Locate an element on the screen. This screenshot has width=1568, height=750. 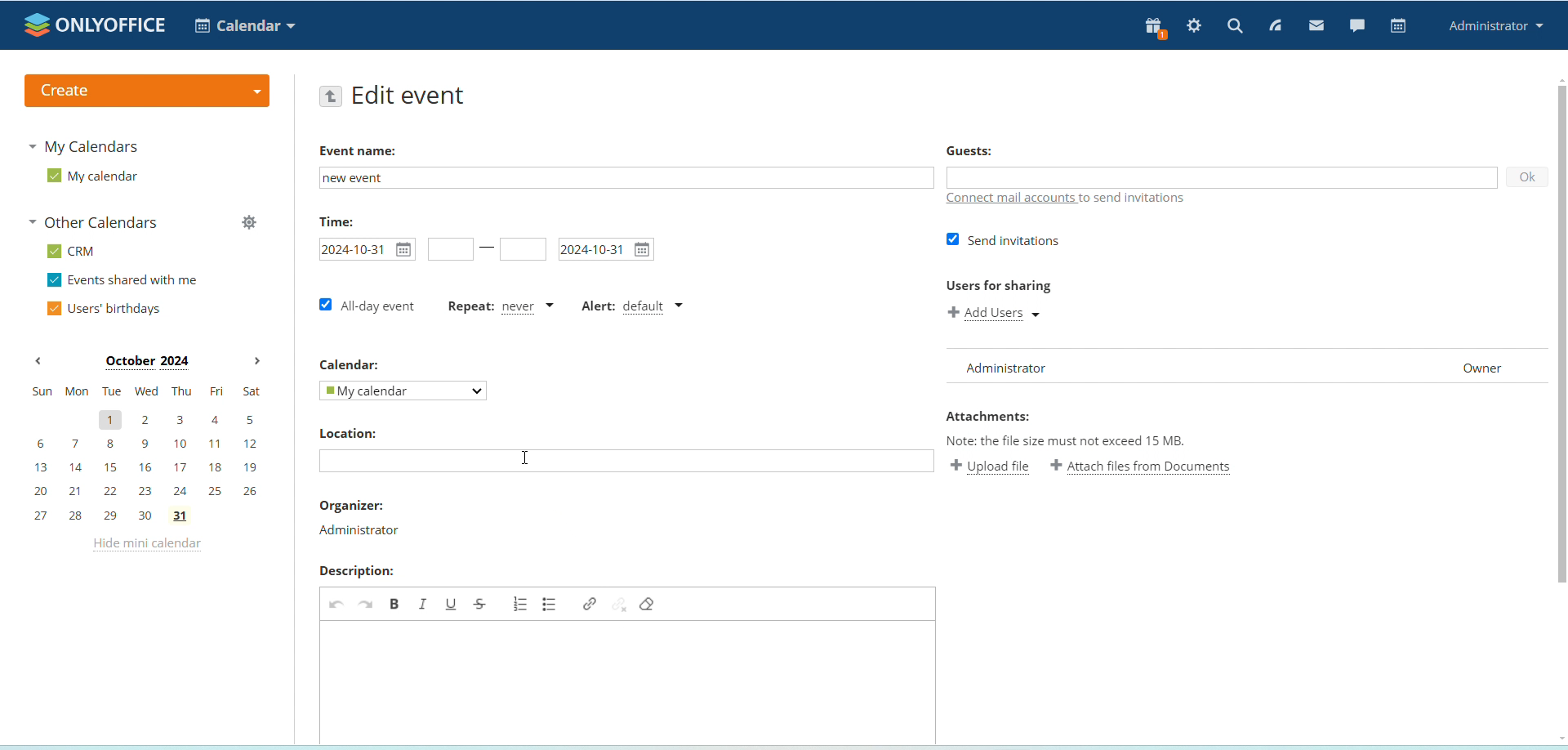
line is located at coordinates (488, 249).